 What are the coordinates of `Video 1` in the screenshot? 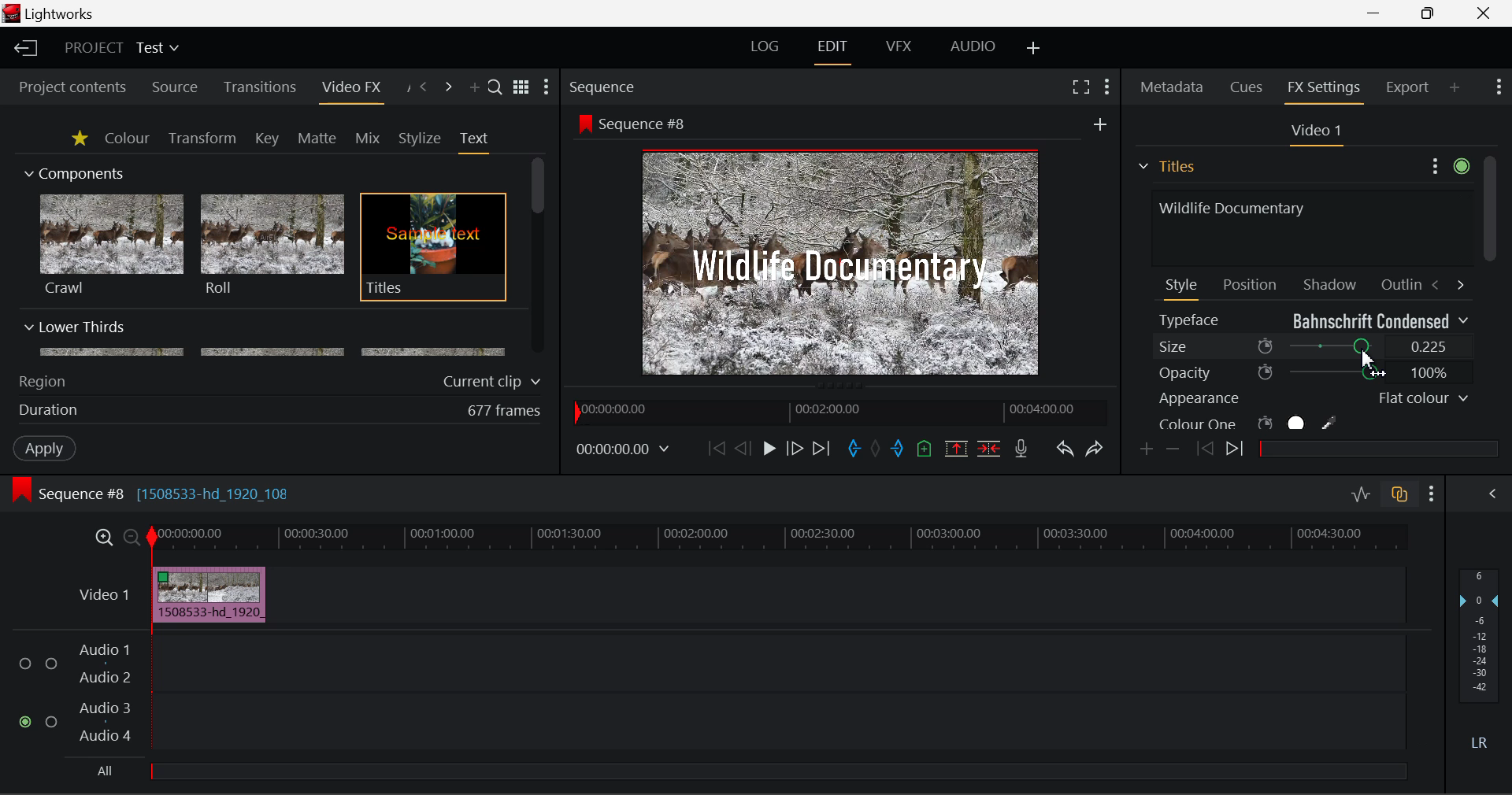 It's located at (1314, 131).